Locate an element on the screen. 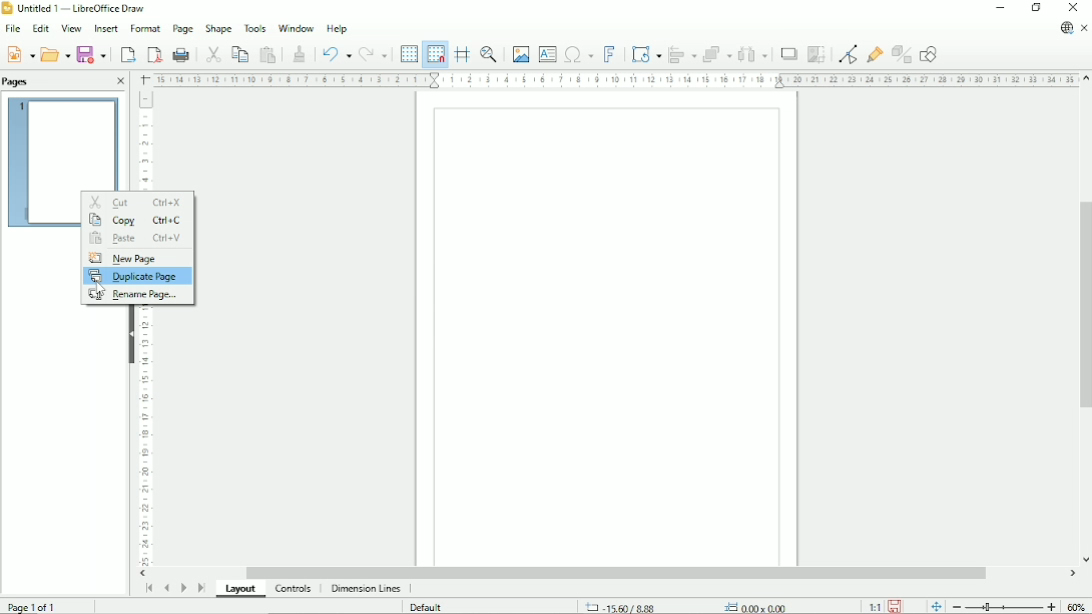 This screenshot has width=1092, height=614. Dimension lines is located at coordinates (365, 589).